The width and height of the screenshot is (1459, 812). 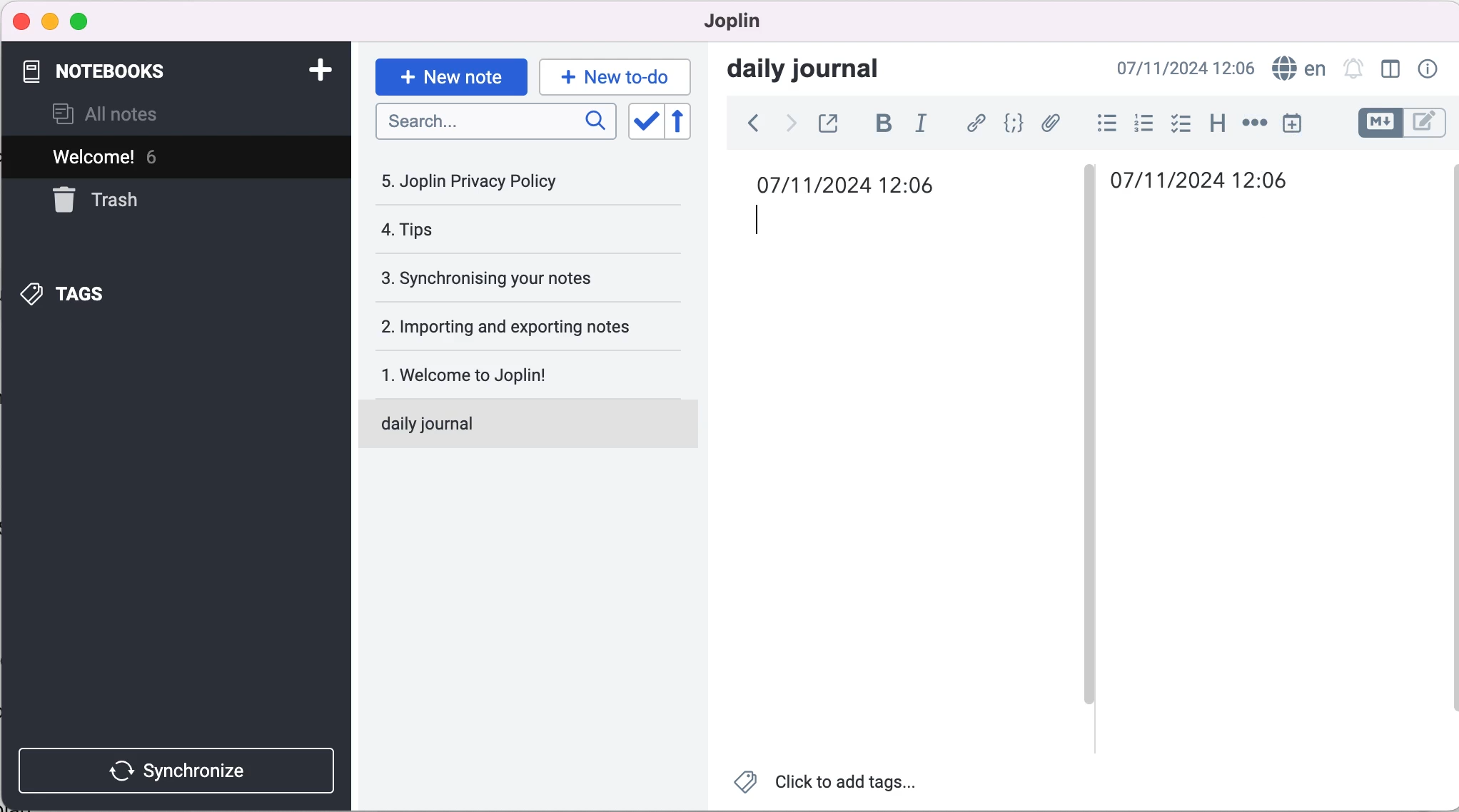 What do you see at coordinates (645, 122) in the screenshot?
I see `toggle sort order` at bounding box center [645, 122].